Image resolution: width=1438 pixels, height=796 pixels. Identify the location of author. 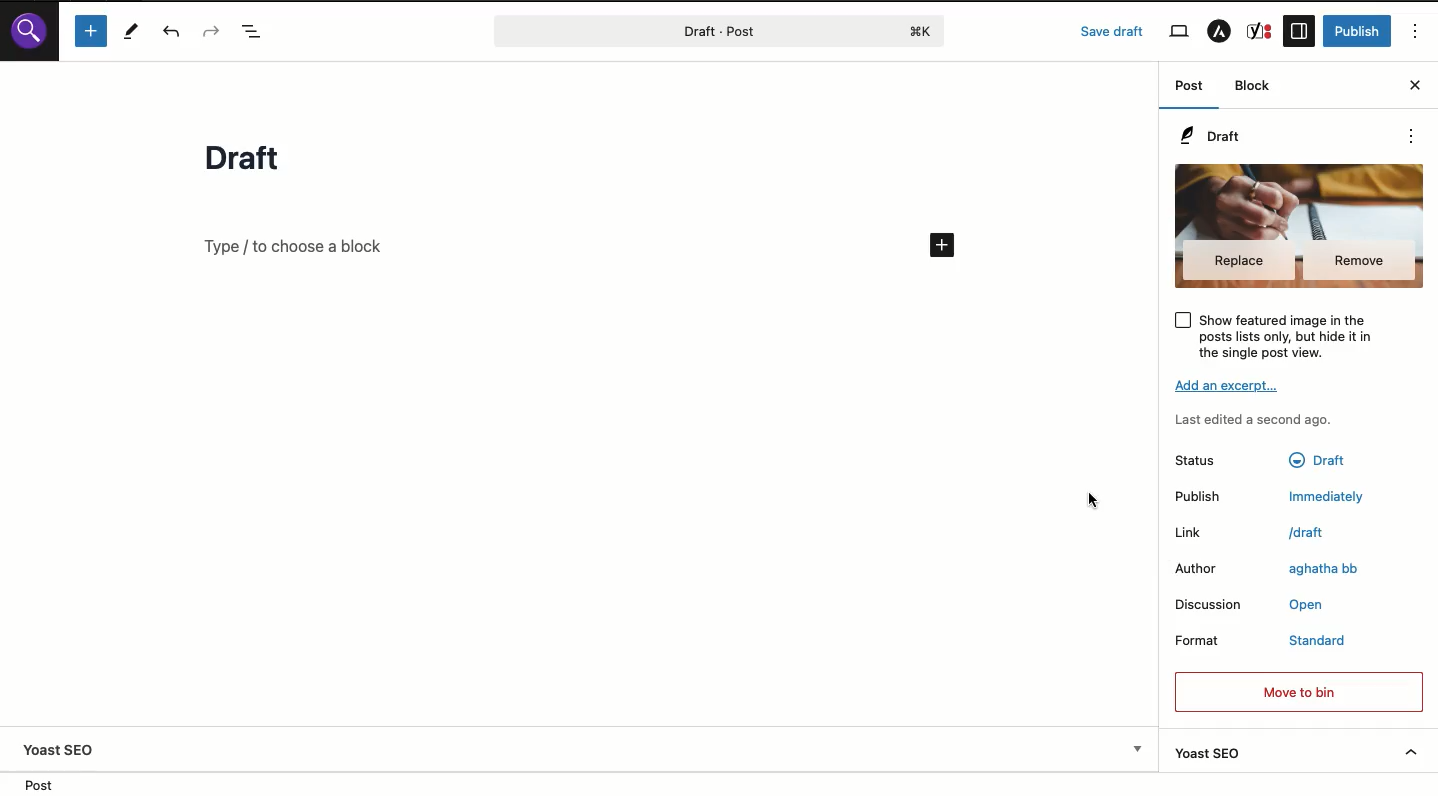
(1197, 569).